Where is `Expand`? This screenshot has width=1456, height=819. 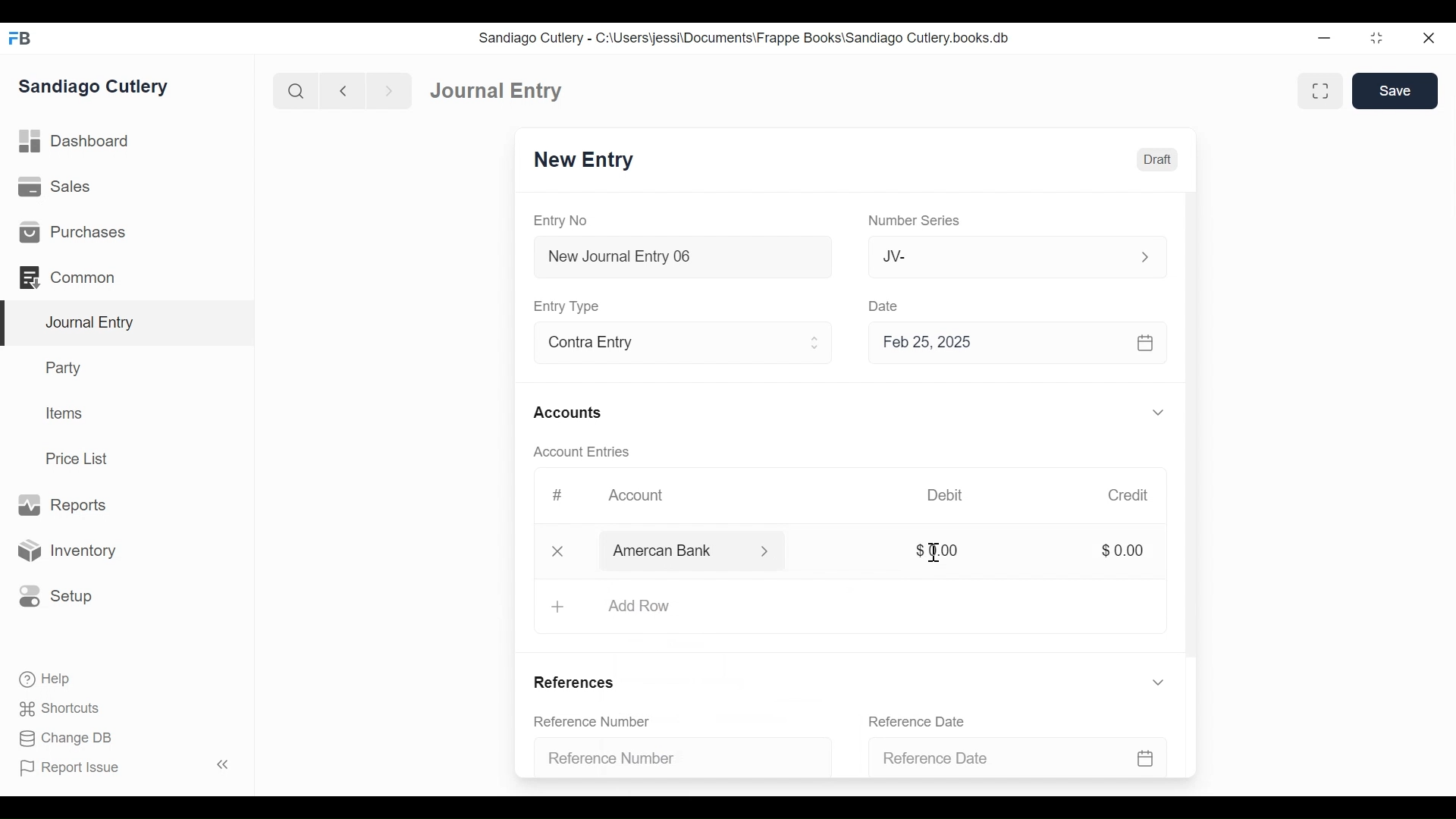
Expand is located at coordinates (1161, 413).